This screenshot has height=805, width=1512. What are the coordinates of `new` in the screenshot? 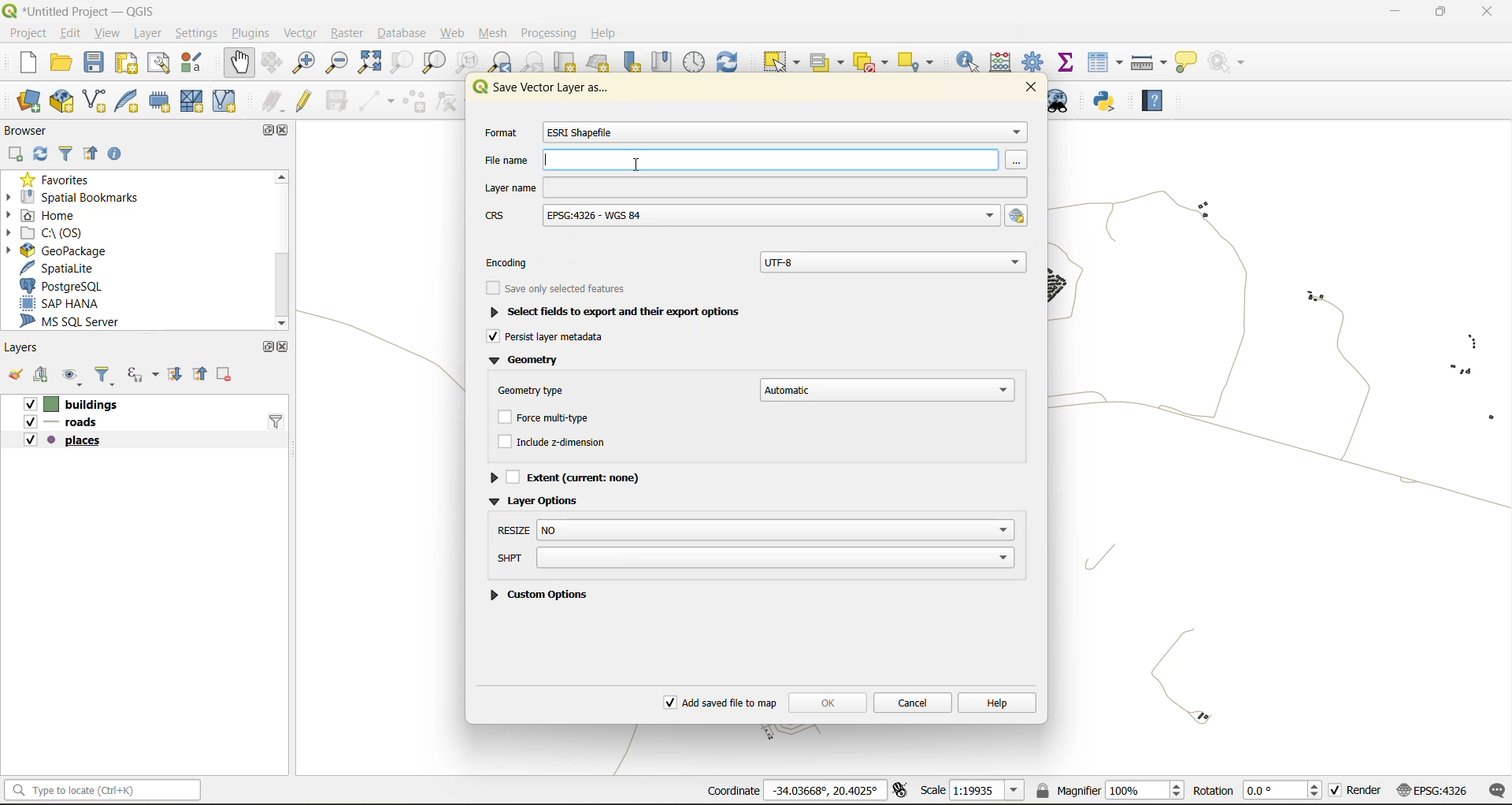 It's located at (29, 63).